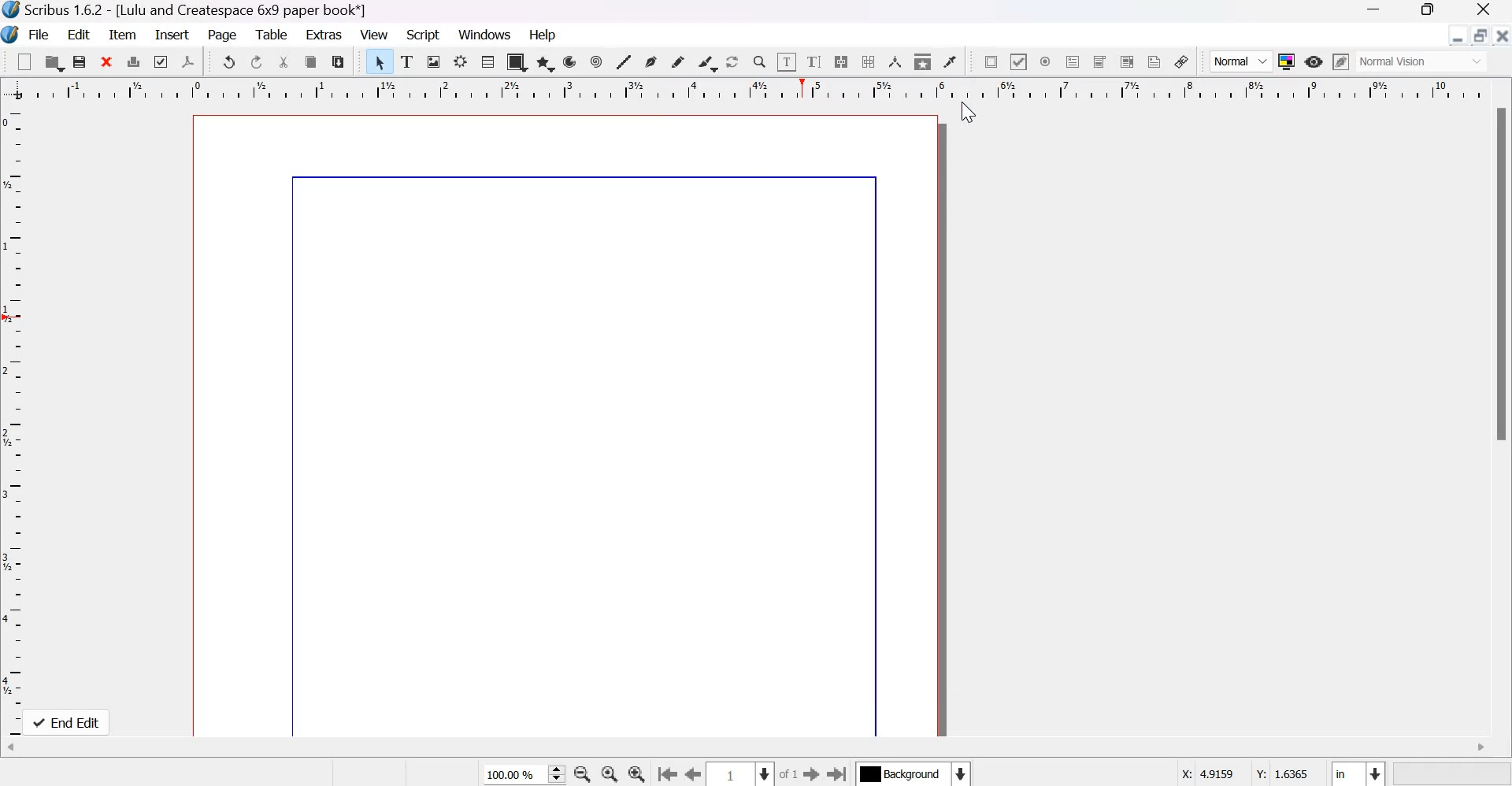 The height and width of the screenshot is (786, 1512). I want to click on copy, so click(312, 62).